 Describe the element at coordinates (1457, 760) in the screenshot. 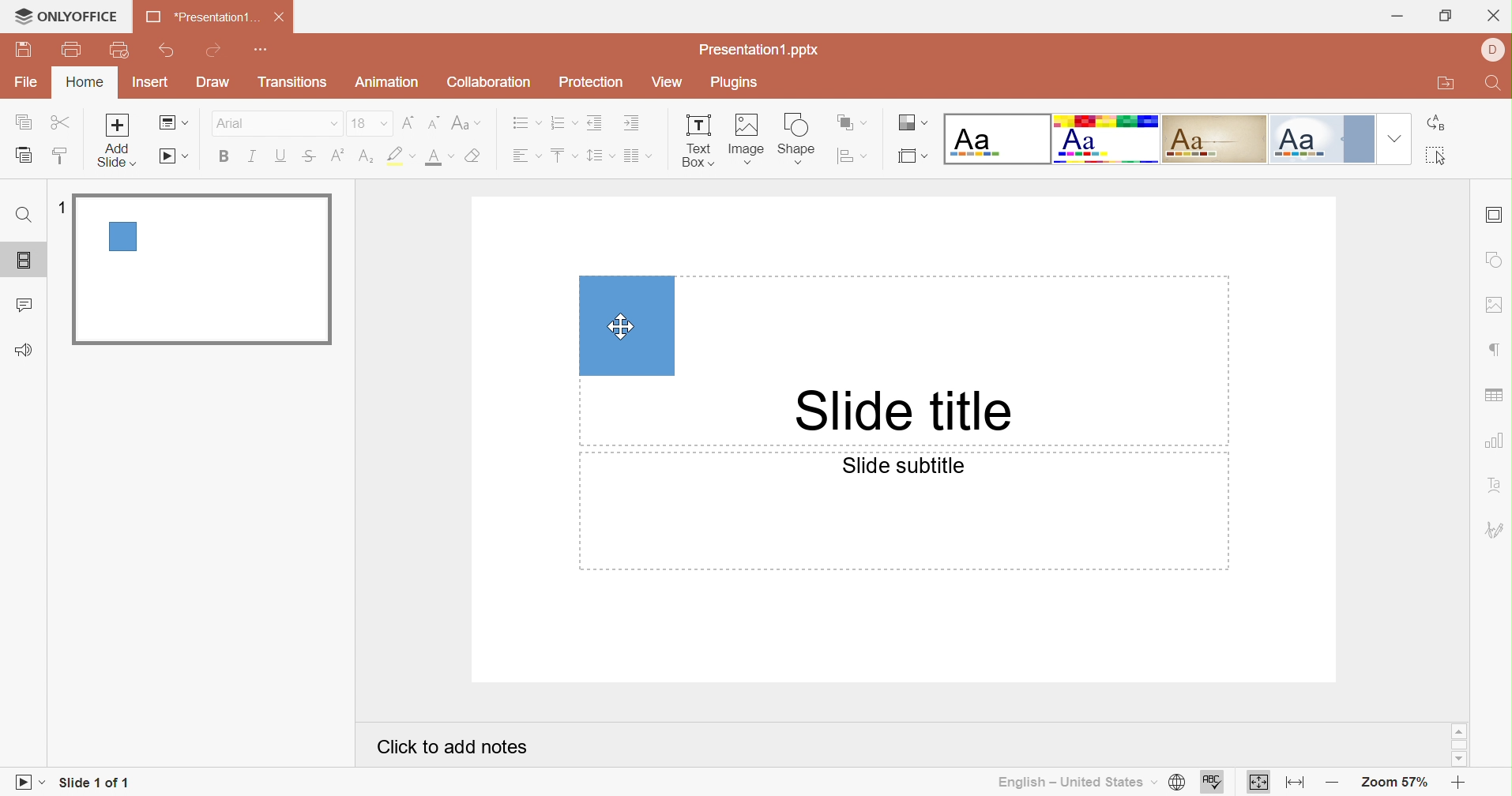

I see `Scroll down` at that location.